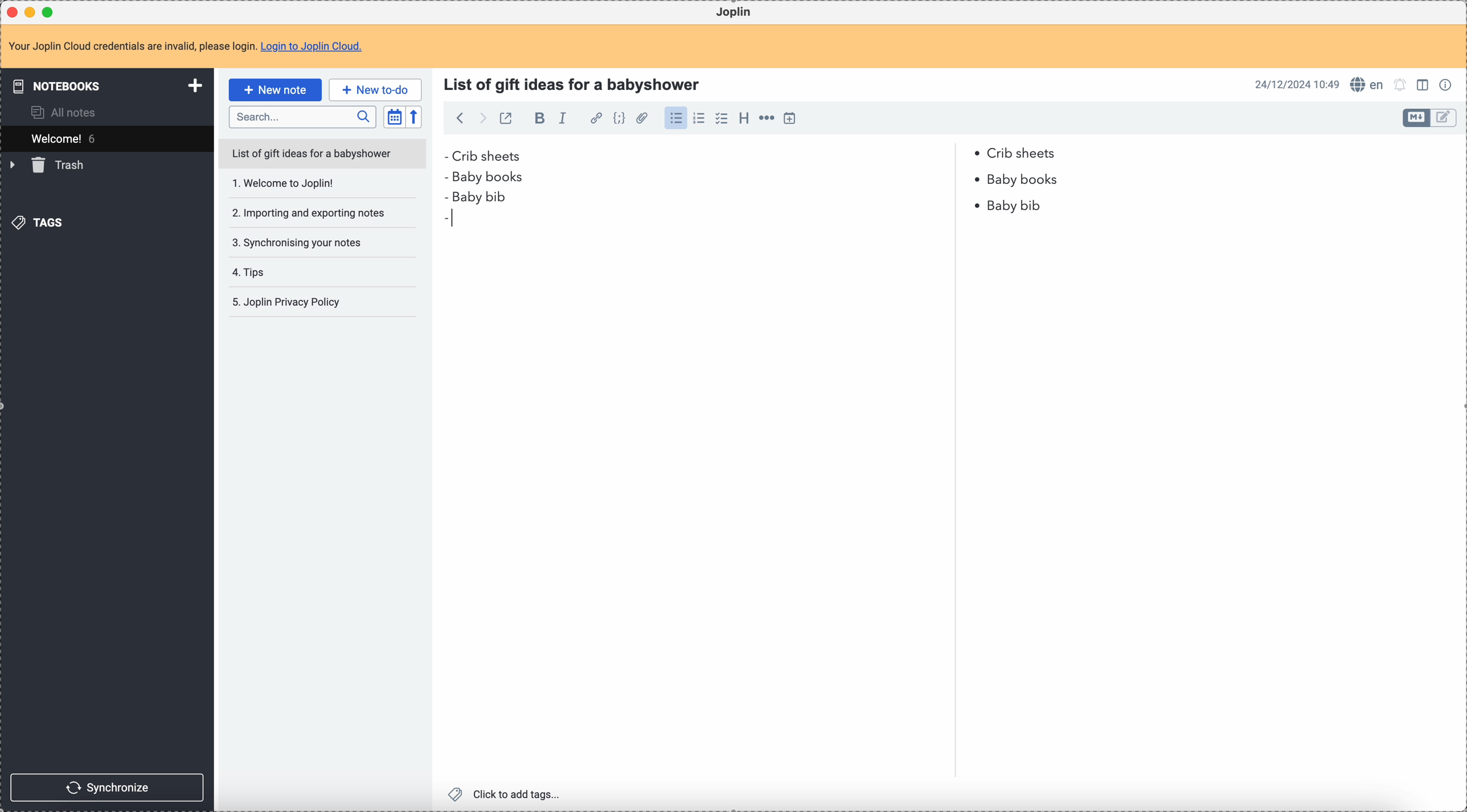  What do you see at coordinates (310, 186) in the screenshot?
I see `Welcome to joplin` at bounding box center [310, 186].